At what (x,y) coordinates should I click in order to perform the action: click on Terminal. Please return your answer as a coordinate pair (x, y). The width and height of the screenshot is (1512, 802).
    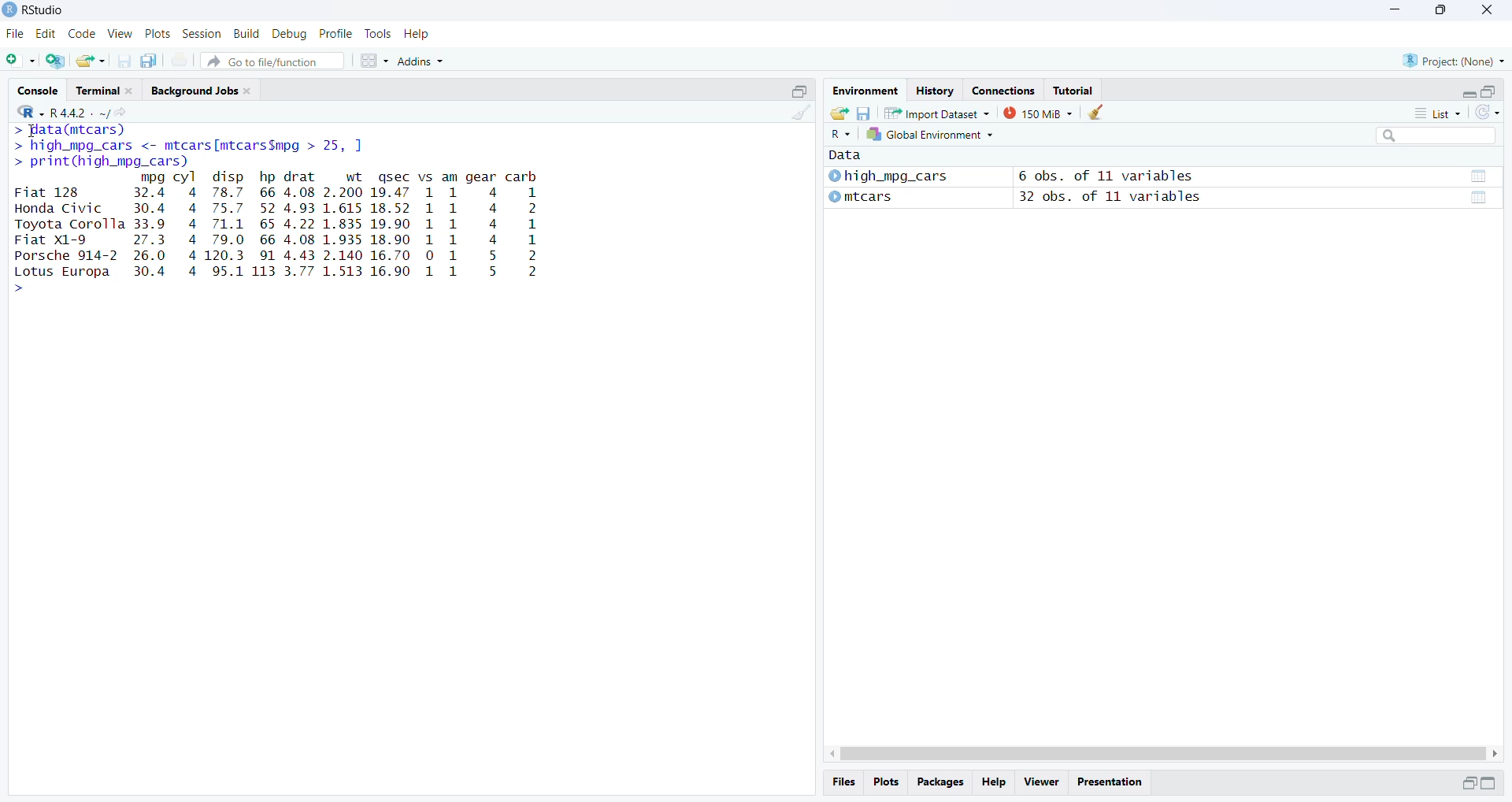
    Looking at the image, I should click on (106, 88).